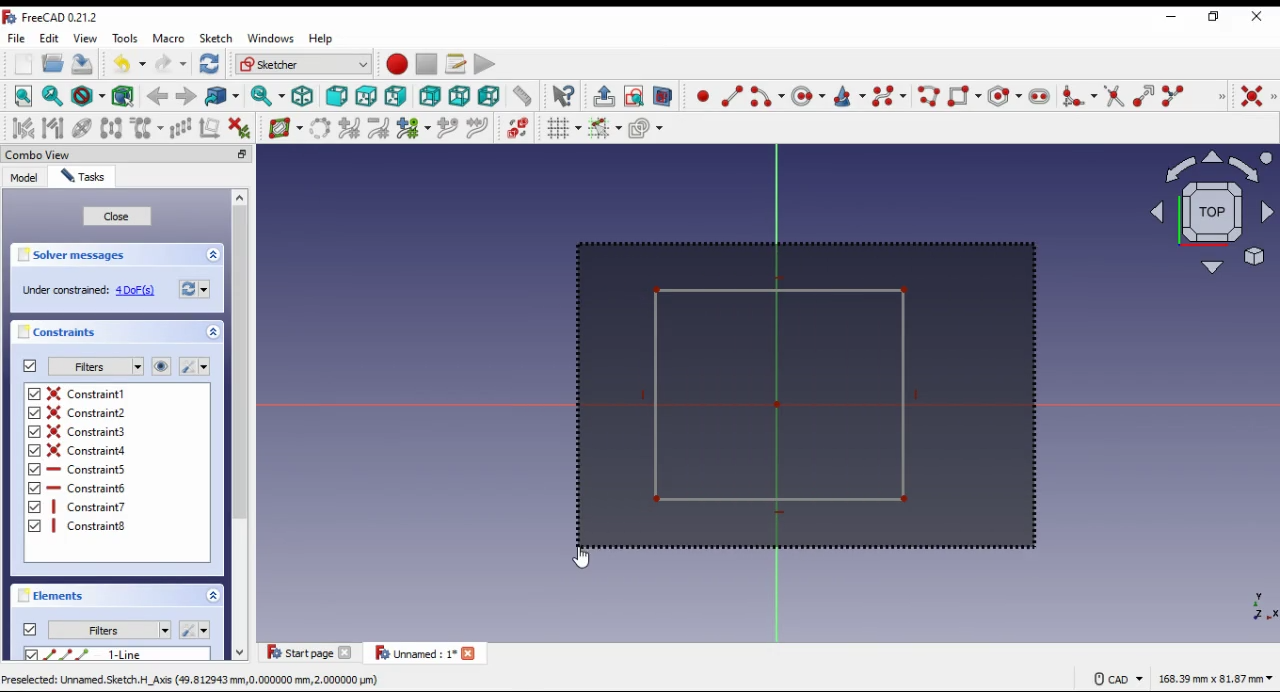  Describe the element at coordinates (1174, 94) in the screenshot. I see `split edge` at that location.